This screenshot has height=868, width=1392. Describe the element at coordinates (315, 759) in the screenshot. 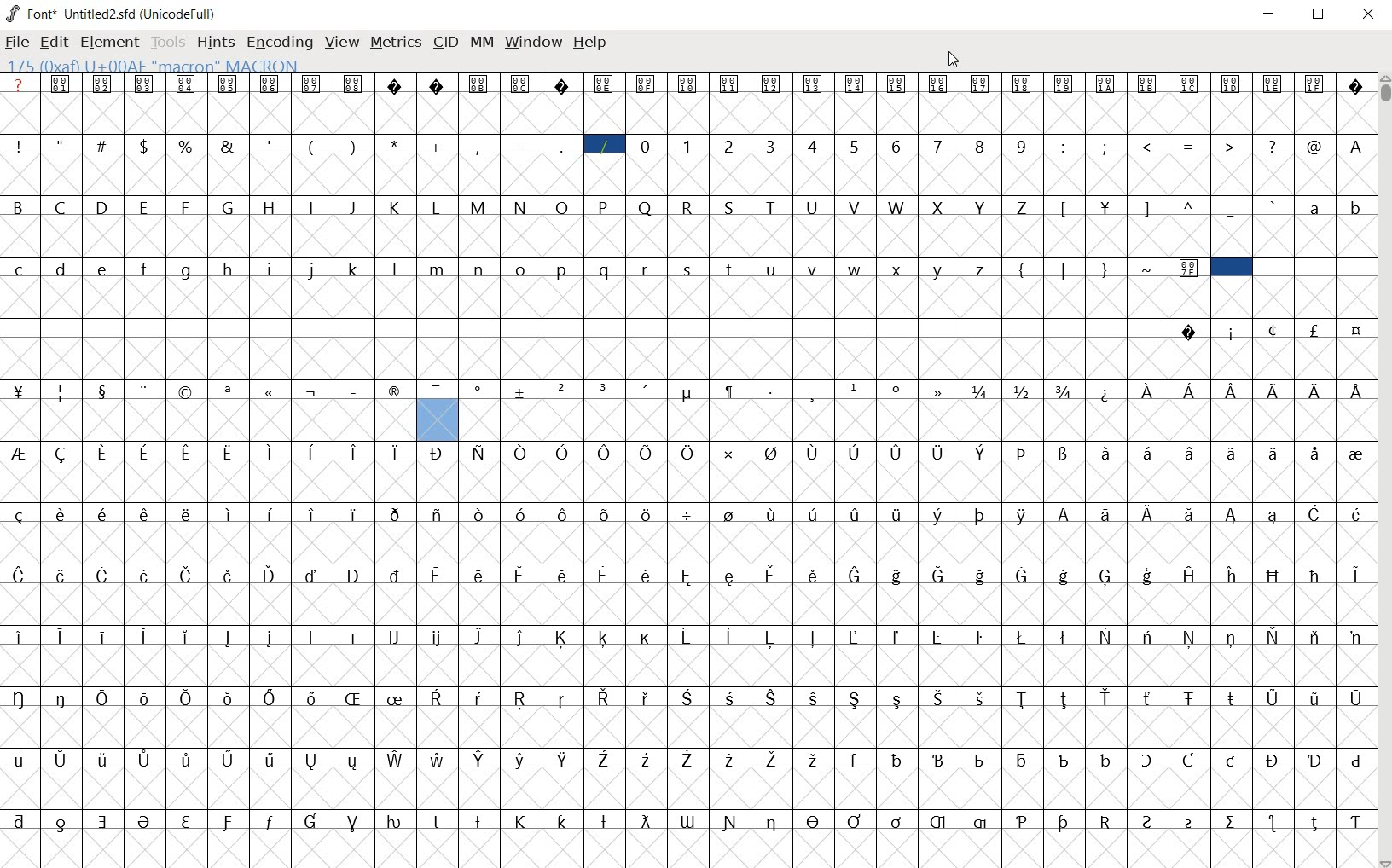

I see `Symbol` at that location.